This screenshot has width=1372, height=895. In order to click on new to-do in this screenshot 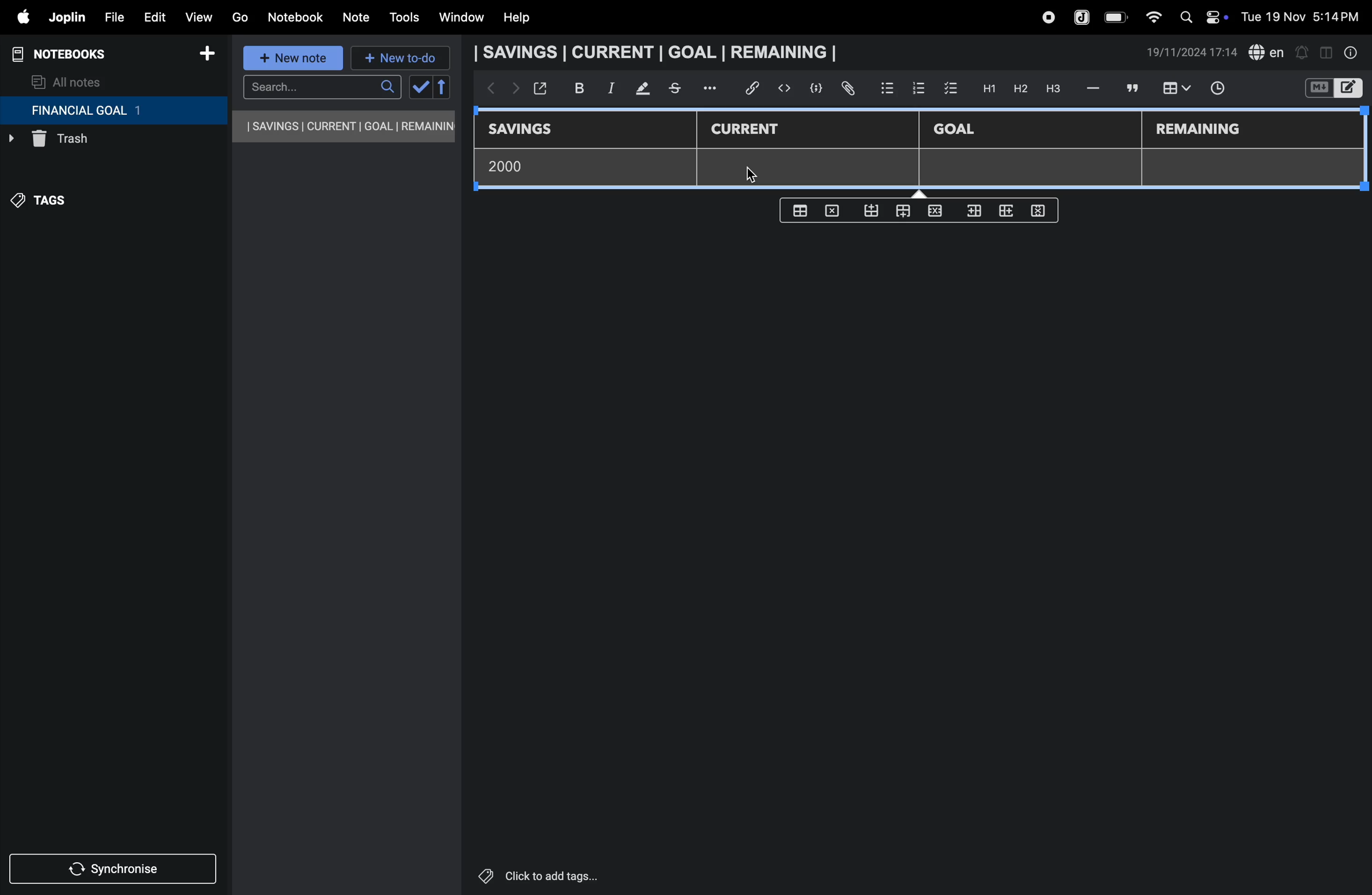, I will do `click(401, 59)`.